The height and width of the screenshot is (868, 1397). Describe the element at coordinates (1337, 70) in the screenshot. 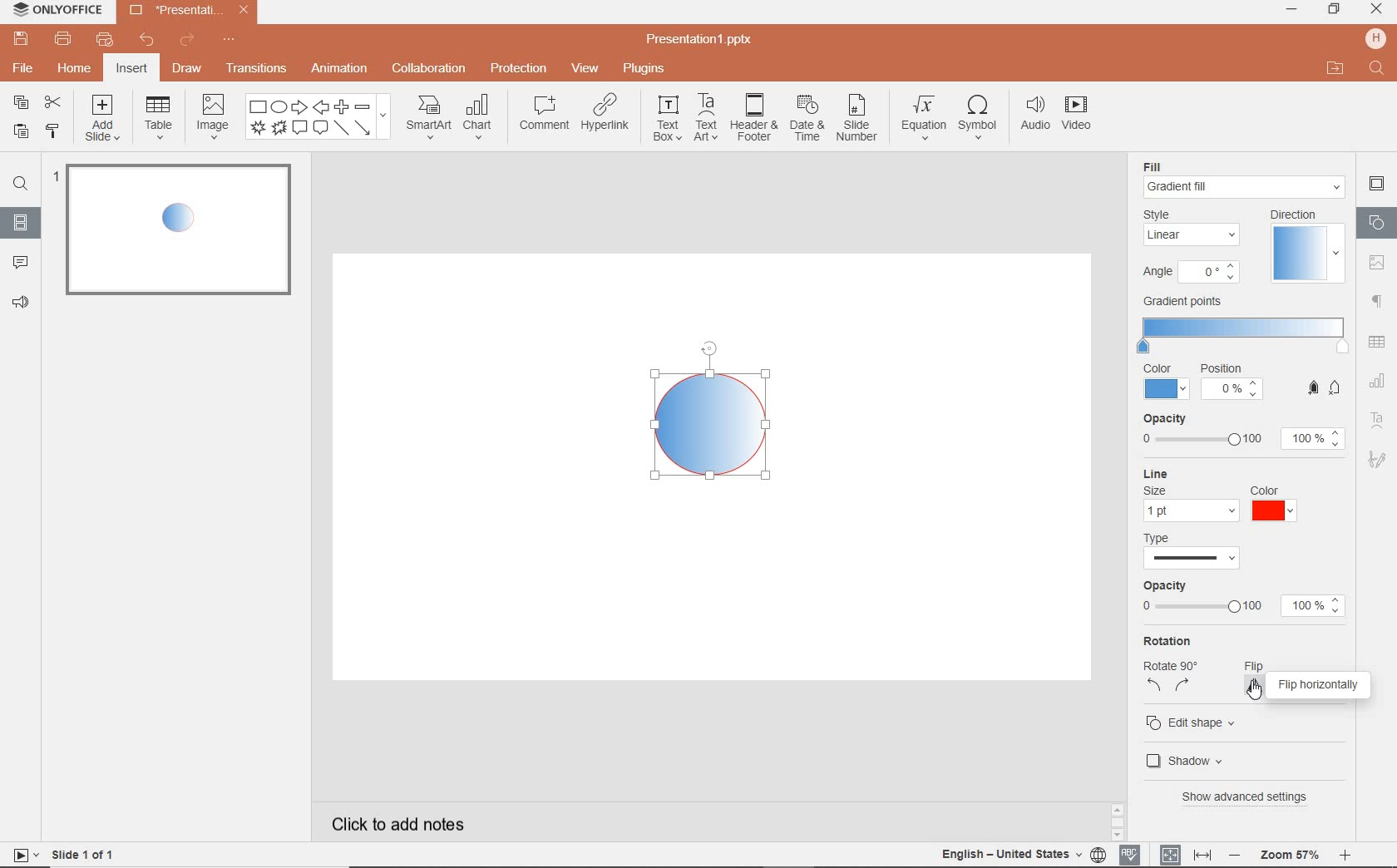

I see `open file location` at that location.